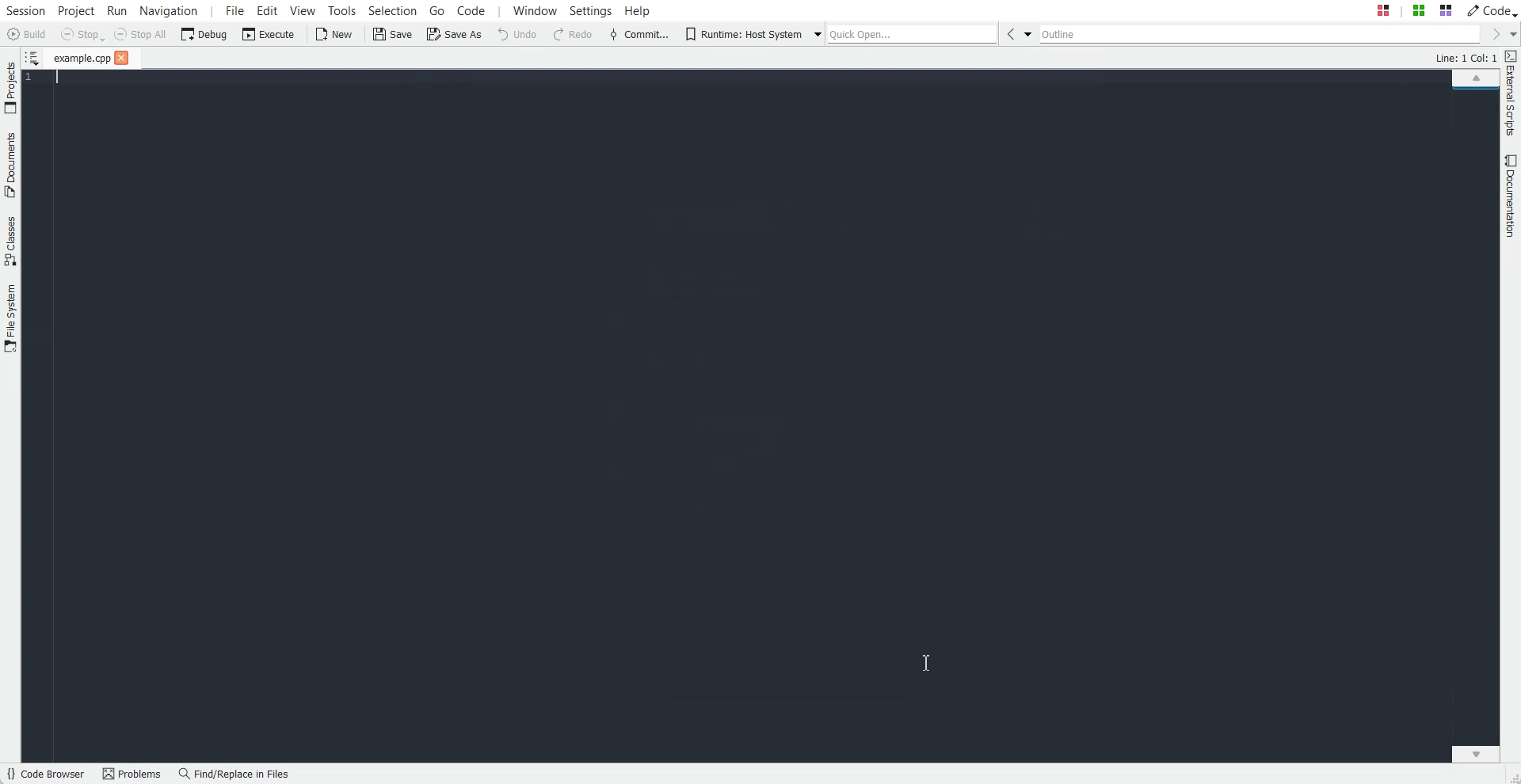 This screenshot has width=1521, height=784. What do you see at coordinates (48, 774) in the screenshot?
I see `Code Browser` at bounding box center [48, 774].